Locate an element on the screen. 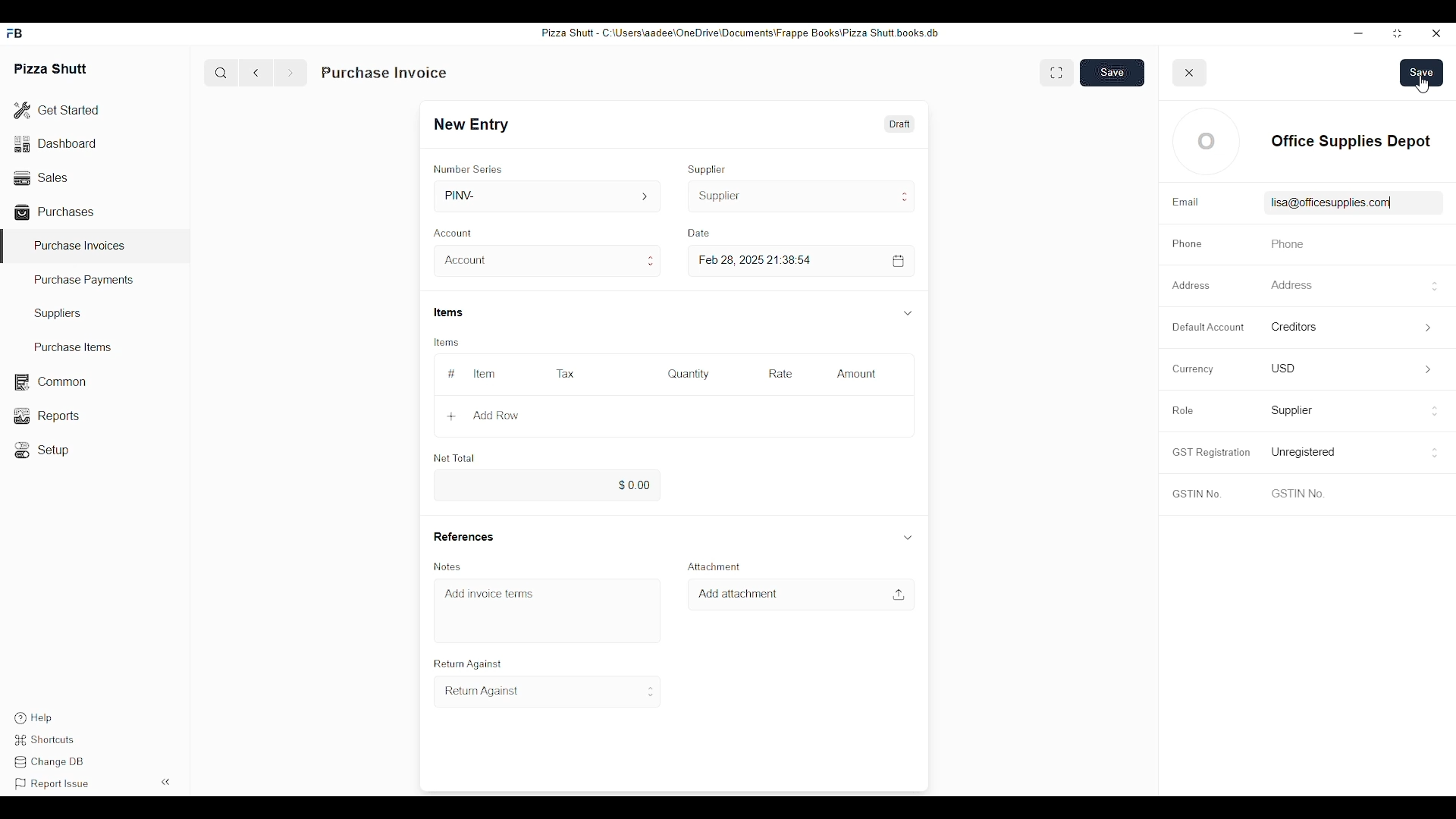 The image size is (1456, 819). Default Account is located at coordinates (1207, 327).